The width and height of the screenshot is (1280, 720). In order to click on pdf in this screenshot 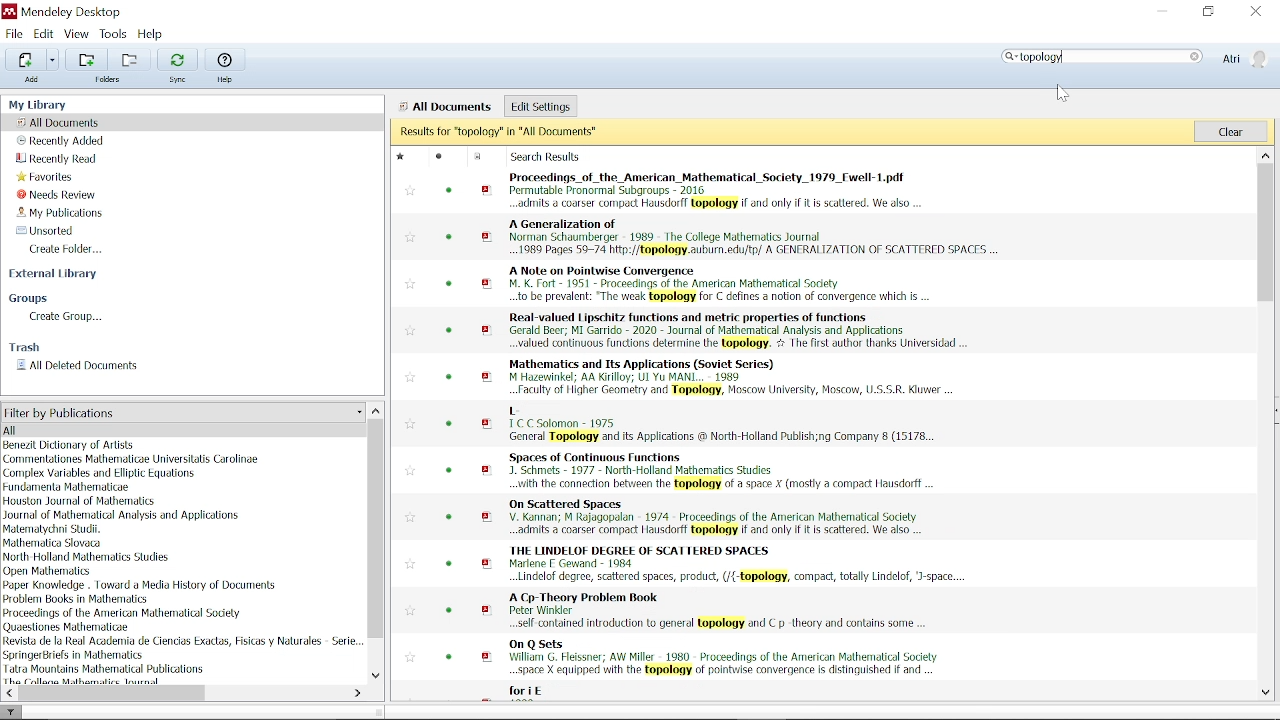, I will do `click(488, 519)`.